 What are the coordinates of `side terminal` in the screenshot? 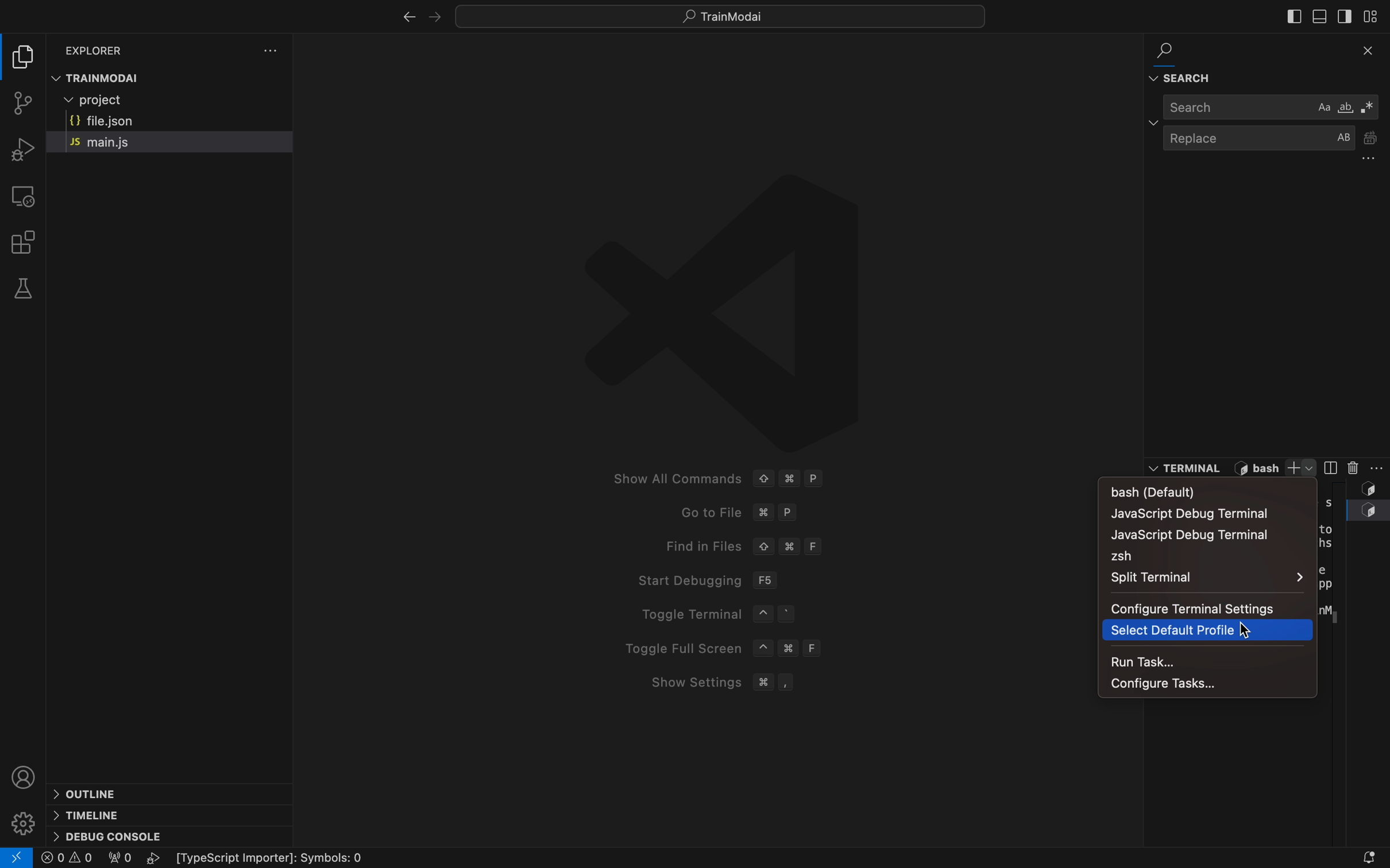 It's located at (1330, 467).